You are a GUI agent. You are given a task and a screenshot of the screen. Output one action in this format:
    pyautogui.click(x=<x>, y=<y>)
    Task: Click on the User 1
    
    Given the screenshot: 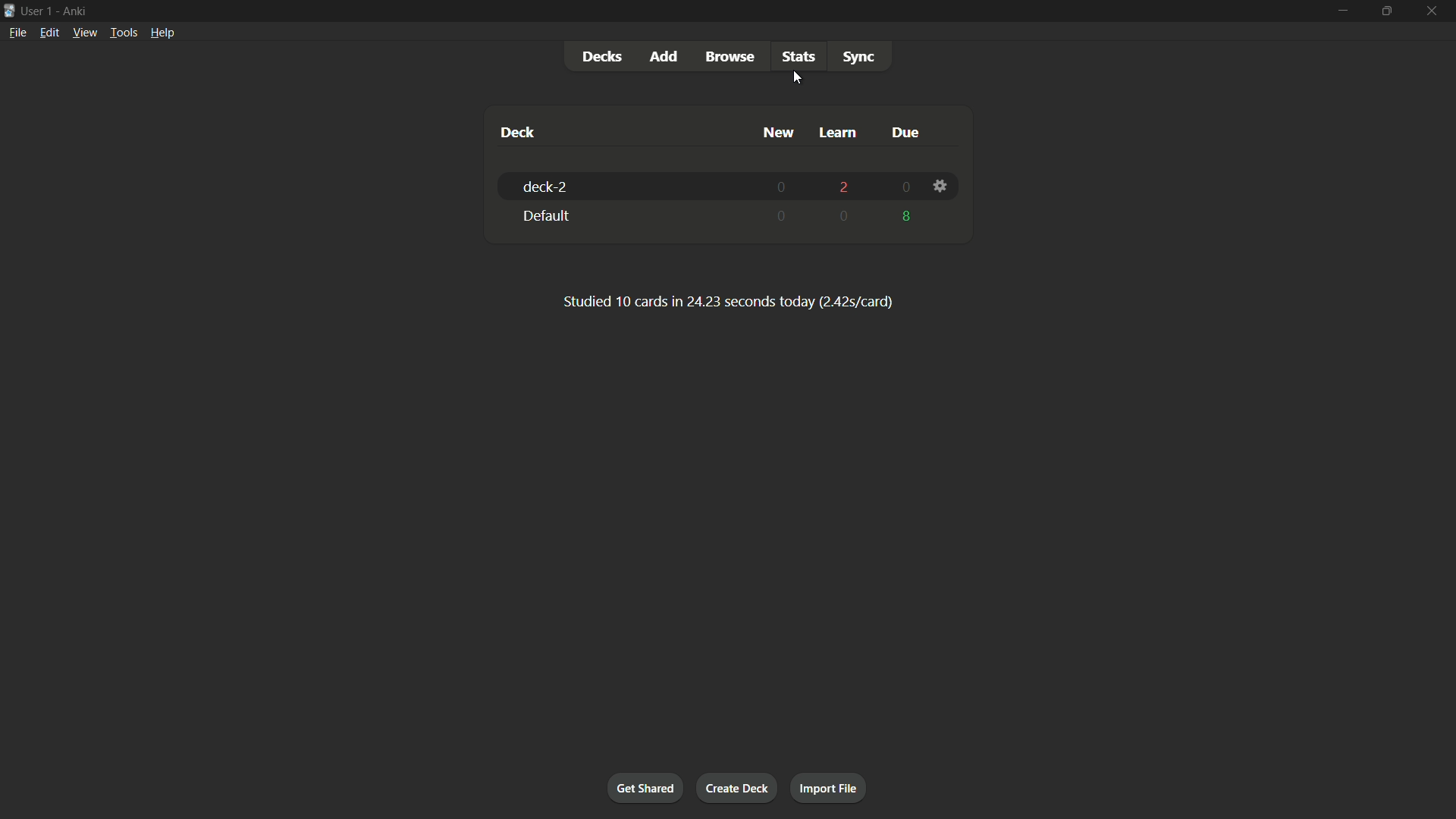 What is the action you would take?
    pyautogui.click(x=38, y=10)
    